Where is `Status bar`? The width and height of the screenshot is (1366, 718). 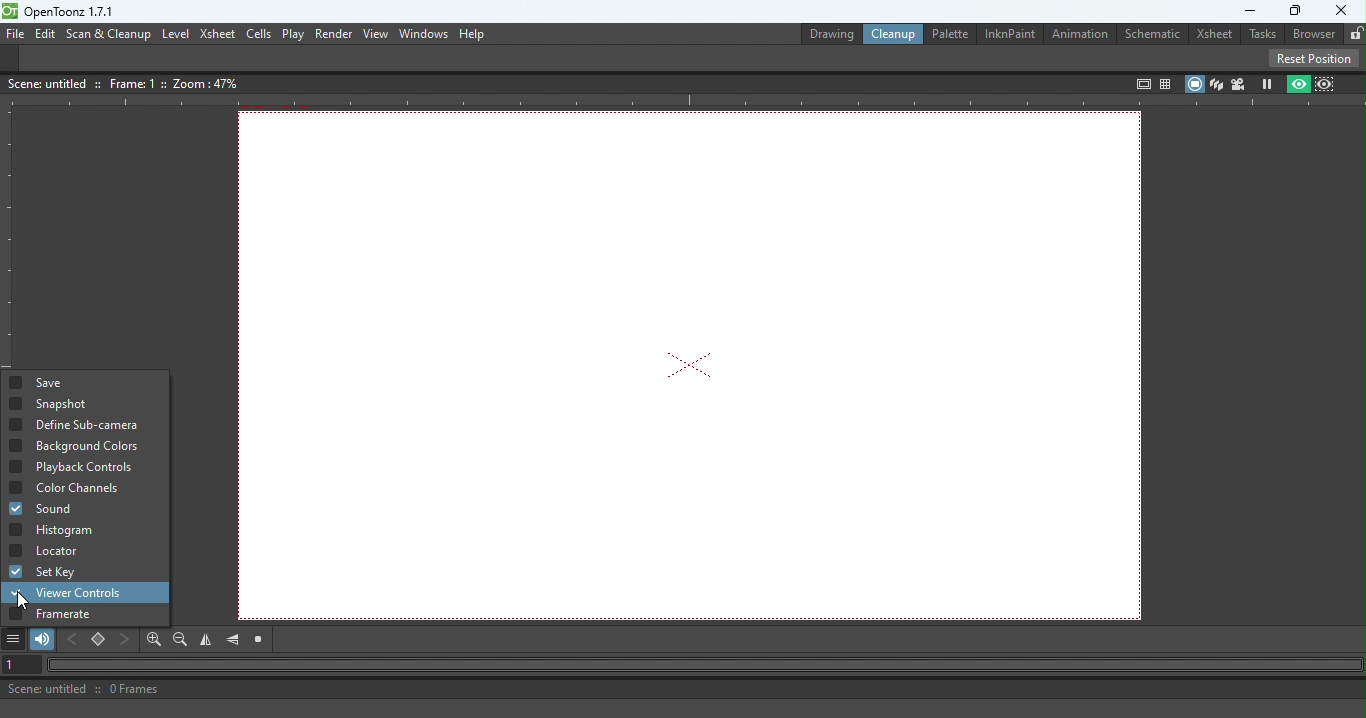
Status bar is located at coordinates (506, 689).